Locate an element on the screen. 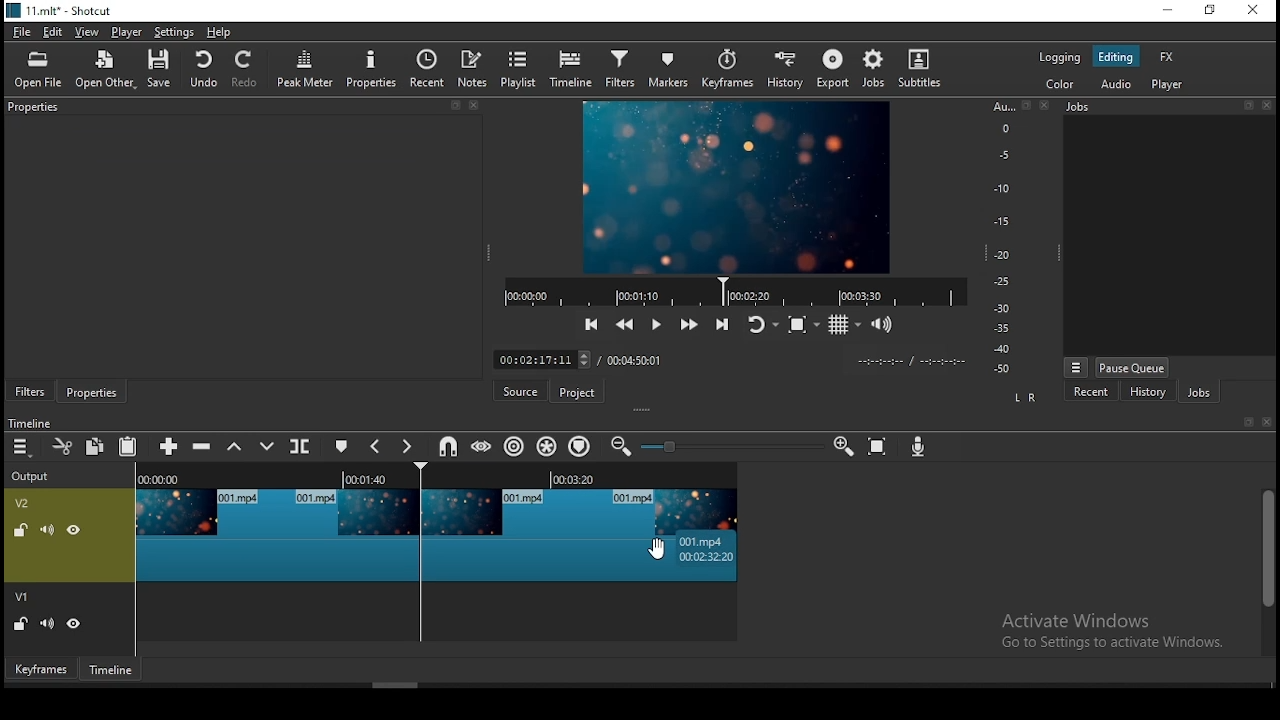  subtitles is located at coordinates (923, 69).